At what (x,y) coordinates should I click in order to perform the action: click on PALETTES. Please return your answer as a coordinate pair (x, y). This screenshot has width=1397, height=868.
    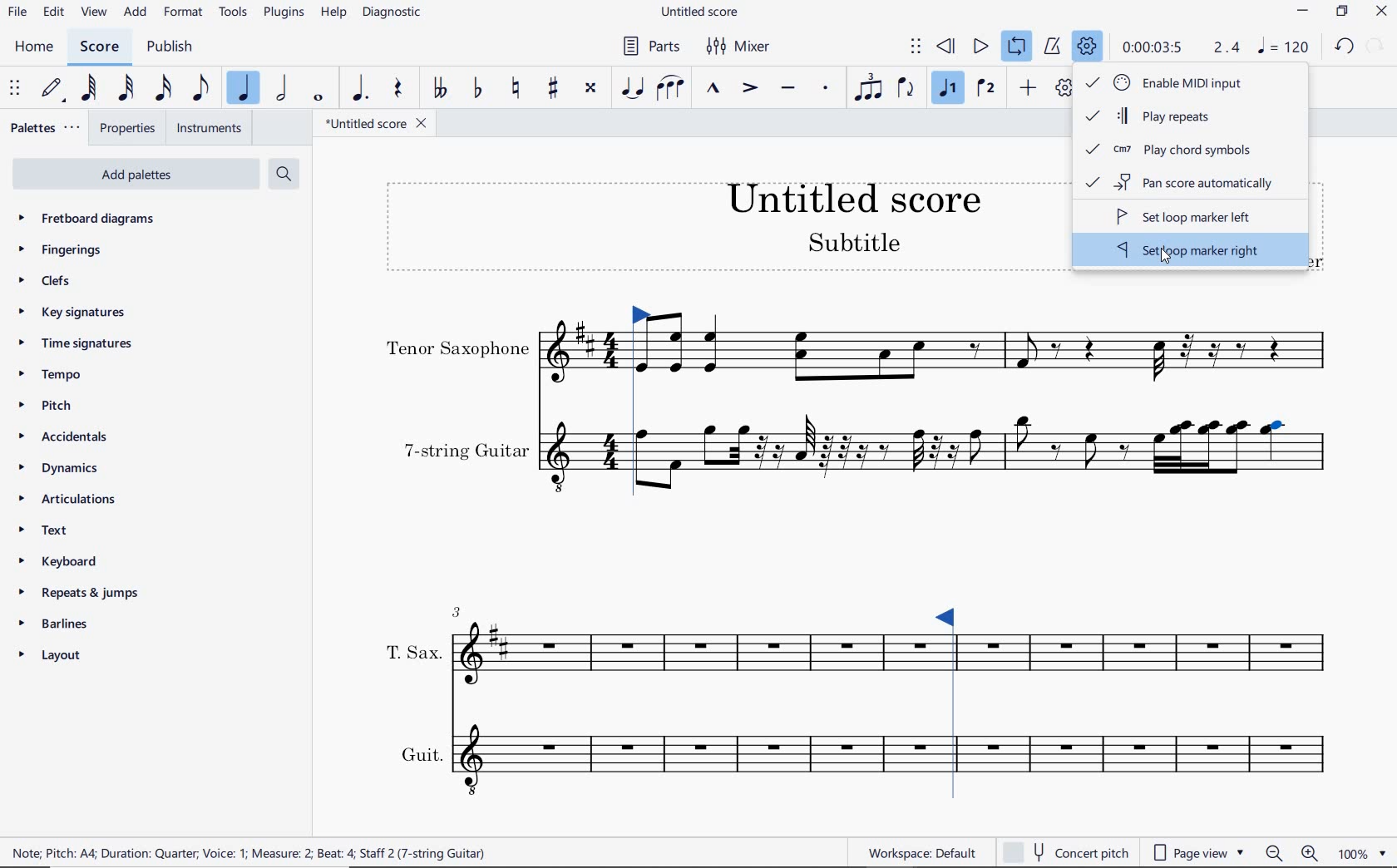
    Looking at the image, I should click on (44, 126).